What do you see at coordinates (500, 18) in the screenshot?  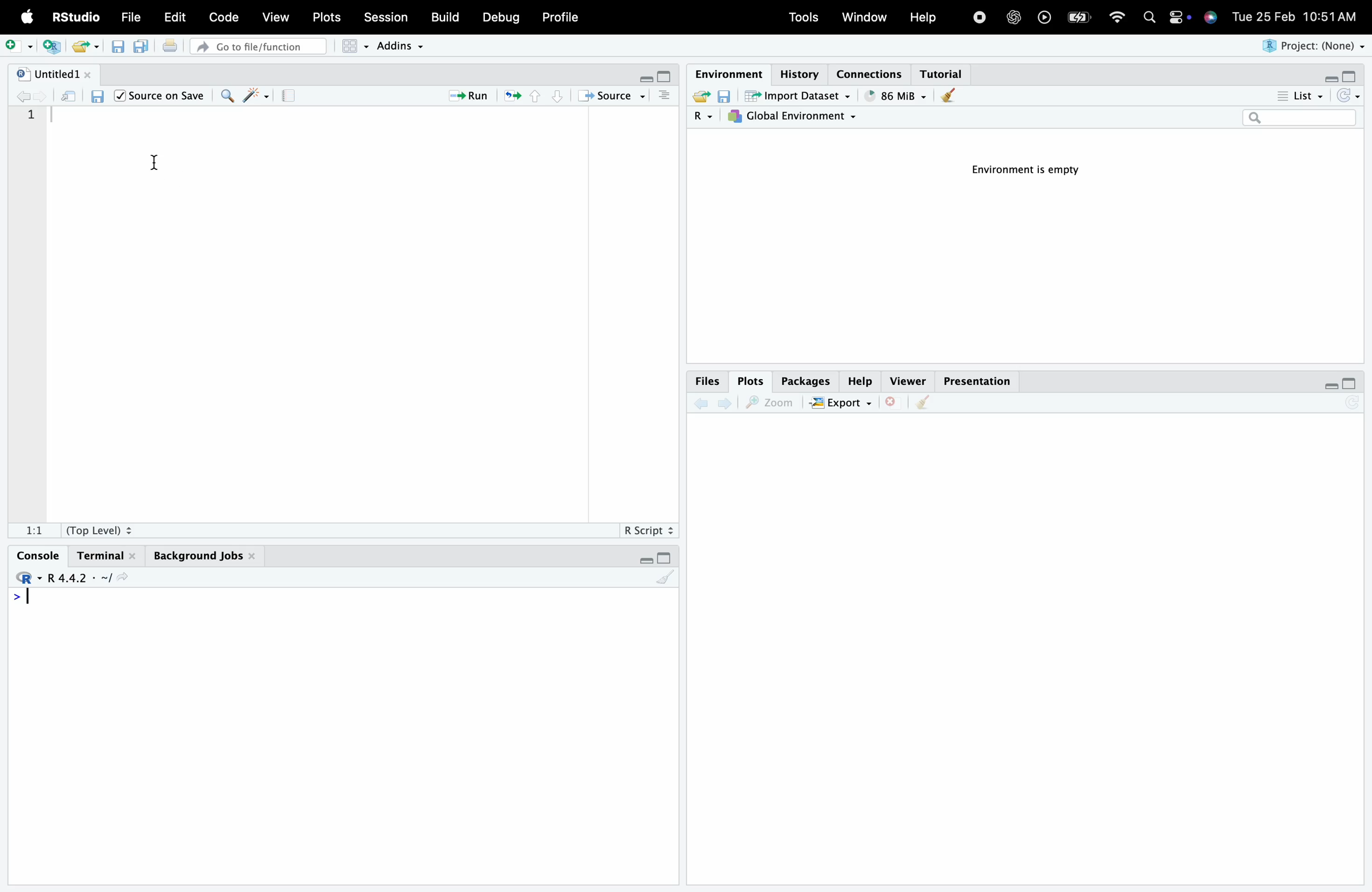 I see `Debug` at bounding box center [500, 18].